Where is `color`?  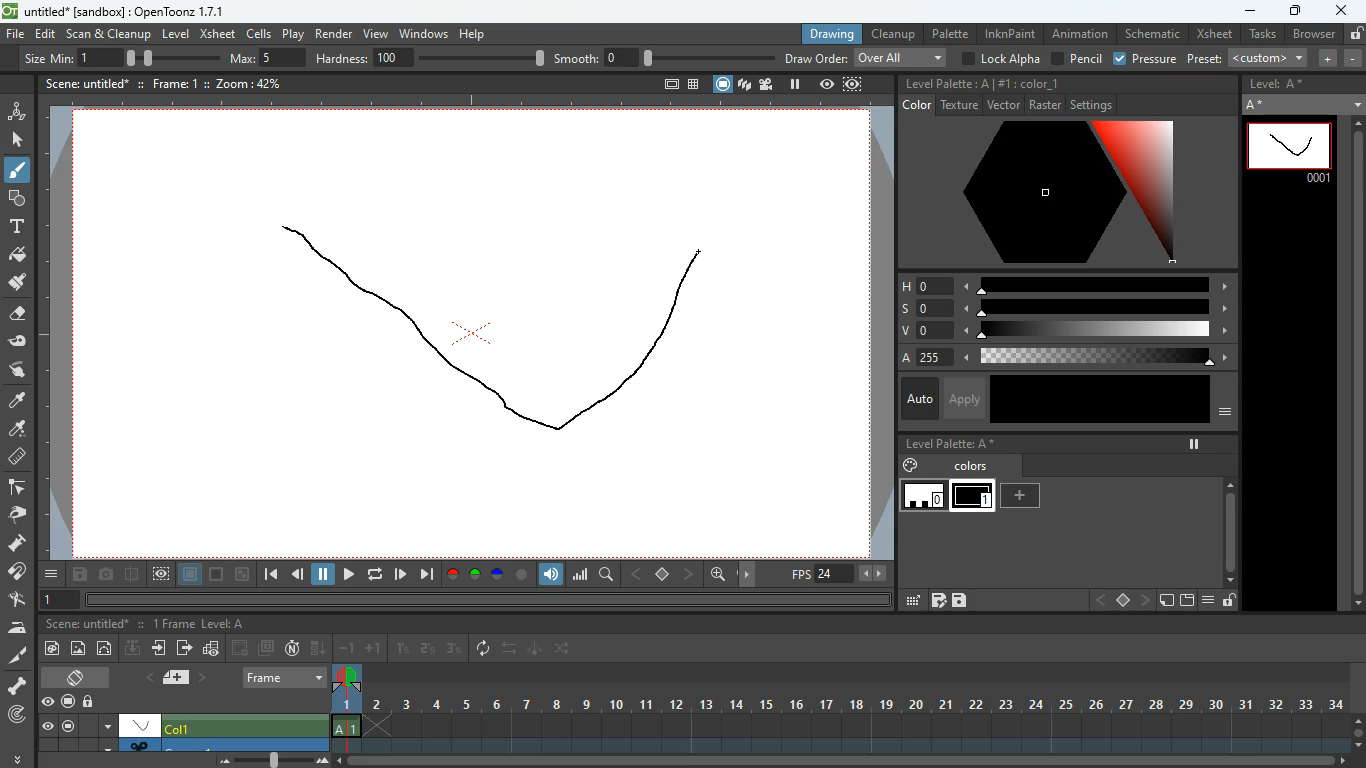 color is located at coordinates (218, 575).